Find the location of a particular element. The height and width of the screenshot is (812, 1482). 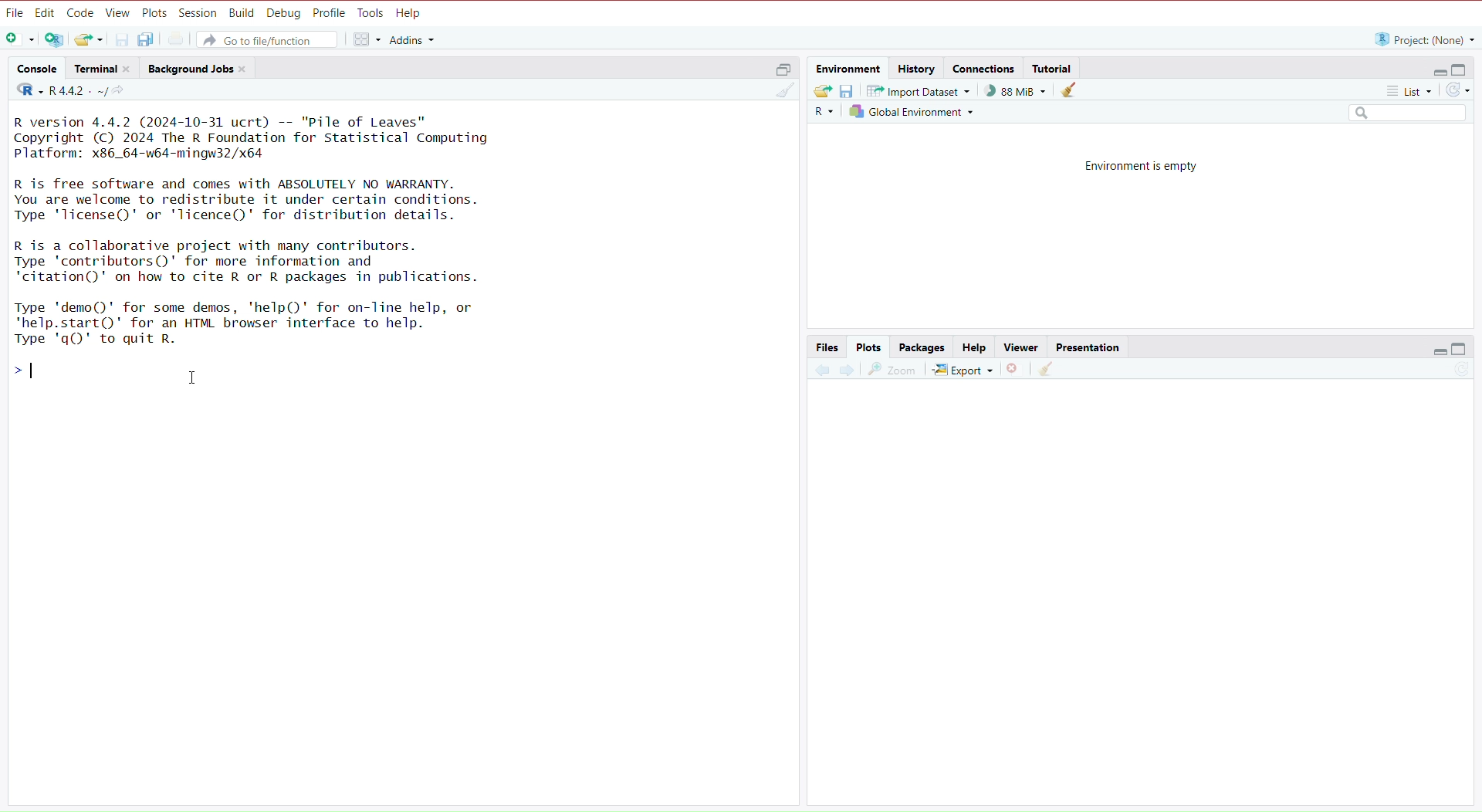

Clear is located at coordinates (783, 90).